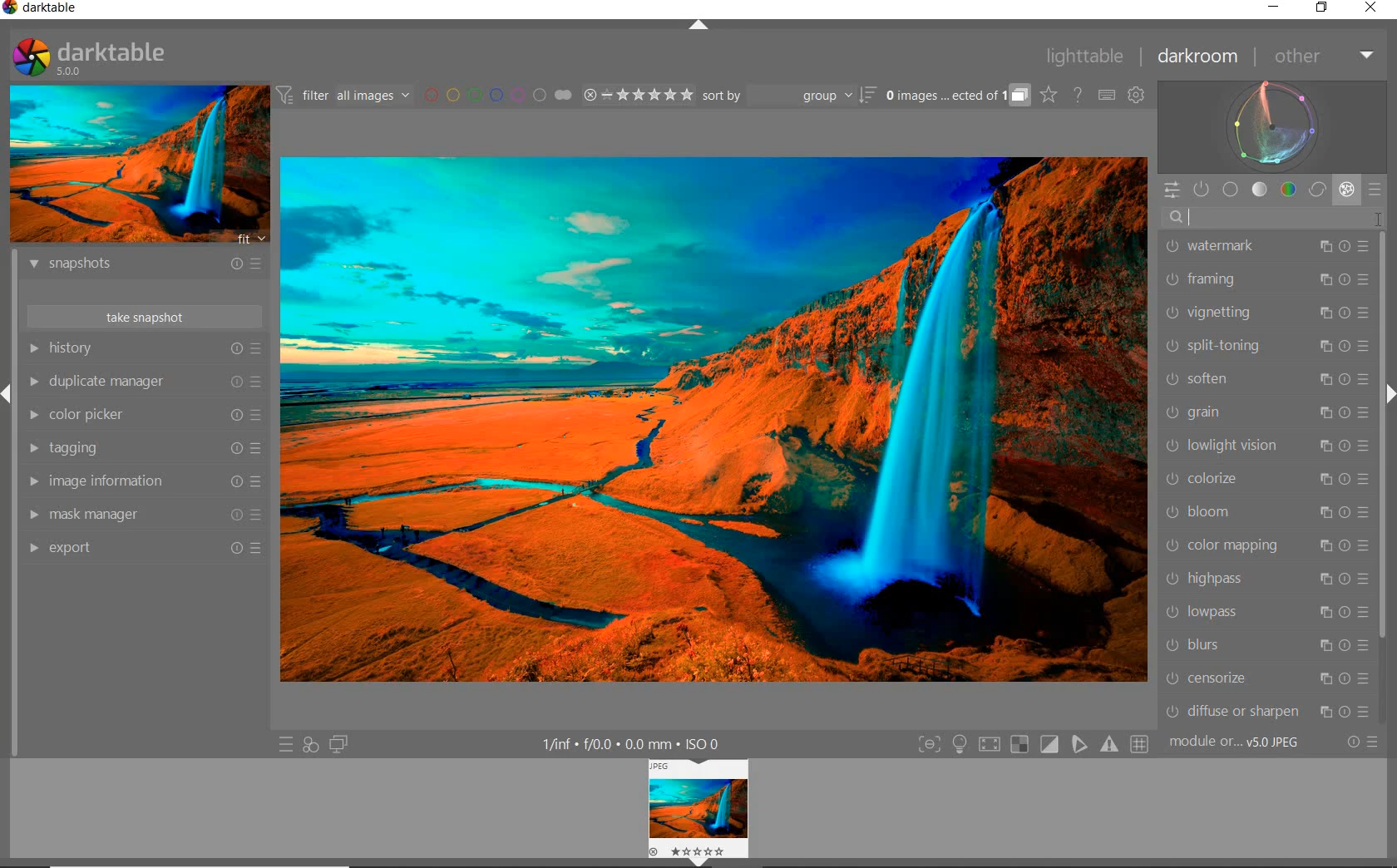 The height and width of the screenshot is (868, 1397). What do you see at coordinates (8, 394) in the screenshot?
I see `Expand/Collapse` at bounding box center [8, 394].